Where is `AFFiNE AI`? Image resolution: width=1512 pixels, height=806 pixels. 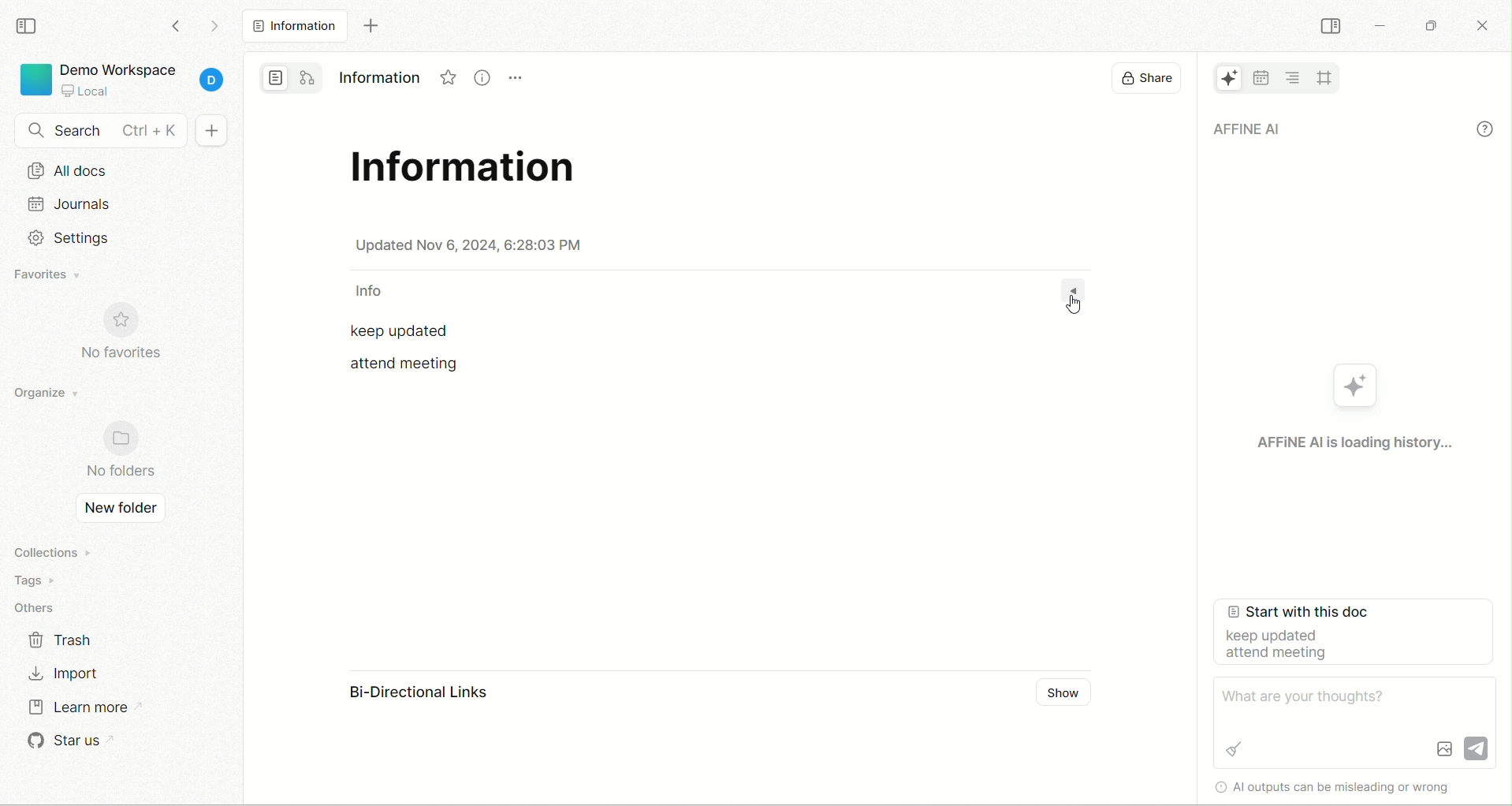 AFFiNE AI is located at coordinates (1324, 131).